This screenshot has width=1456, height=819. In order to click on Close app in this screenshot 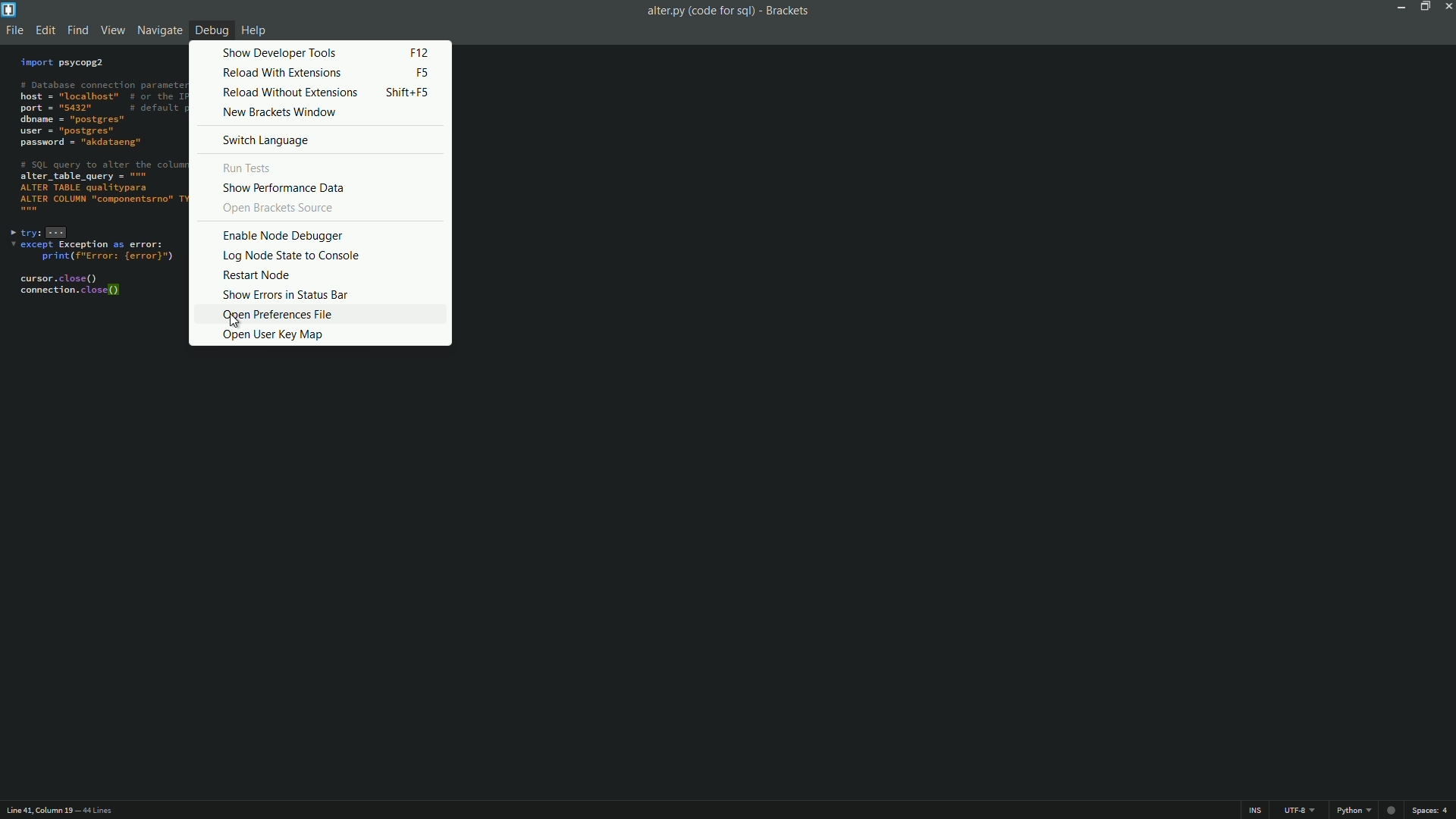, I will do `click(1447, 6)`.